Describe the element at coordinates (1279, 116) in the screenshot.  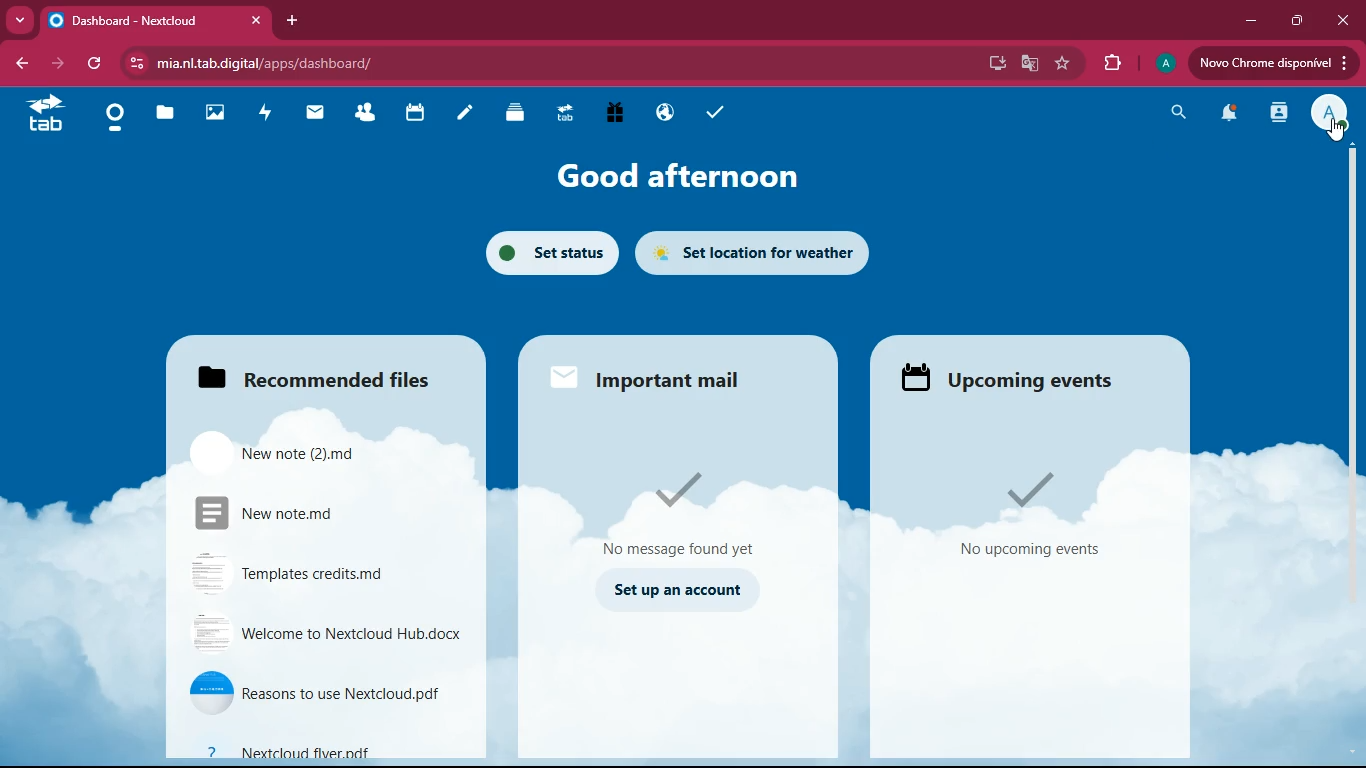
I see `activity` at that location.